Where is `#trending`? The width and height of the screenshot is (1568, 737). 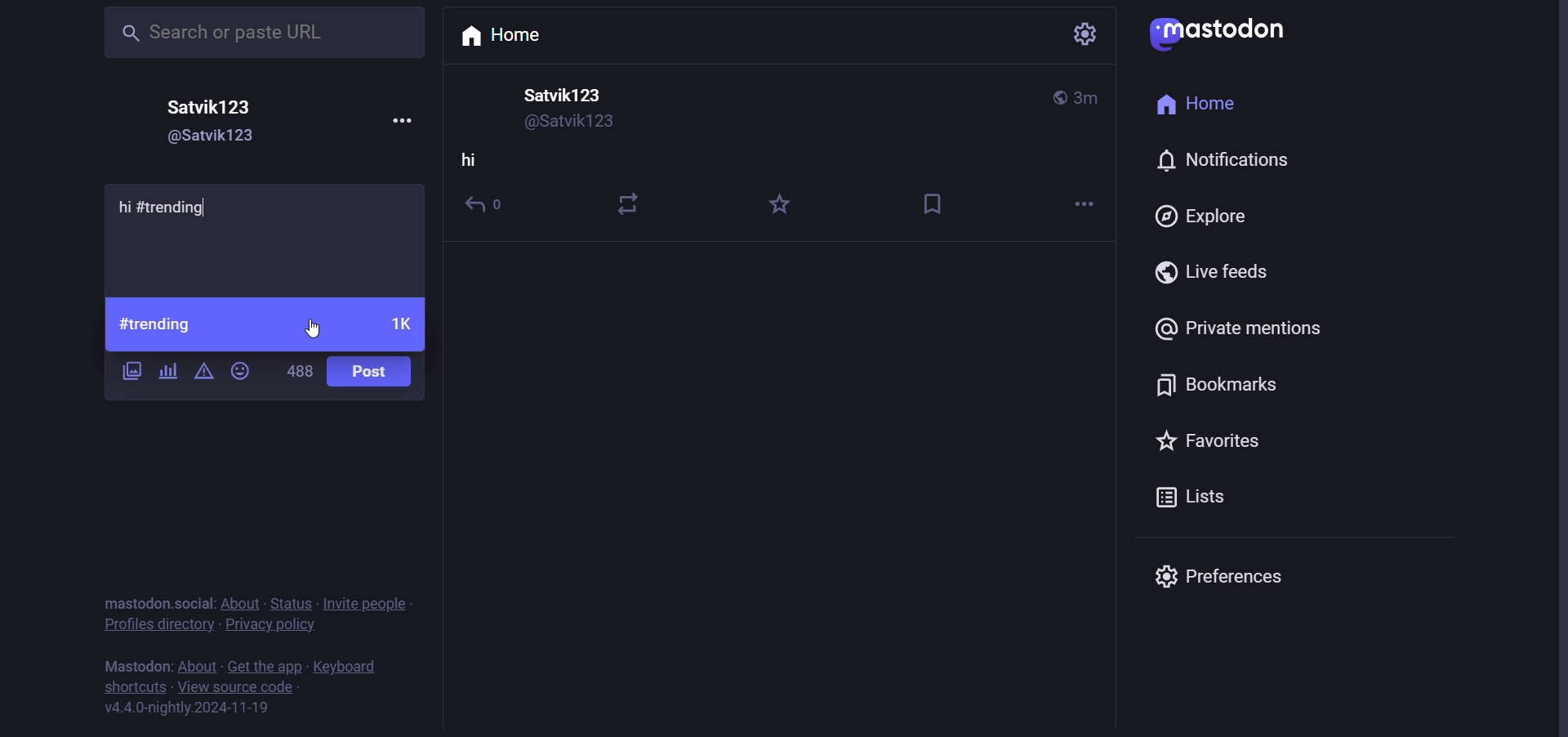
#trending is located at coordinates (158, 324).